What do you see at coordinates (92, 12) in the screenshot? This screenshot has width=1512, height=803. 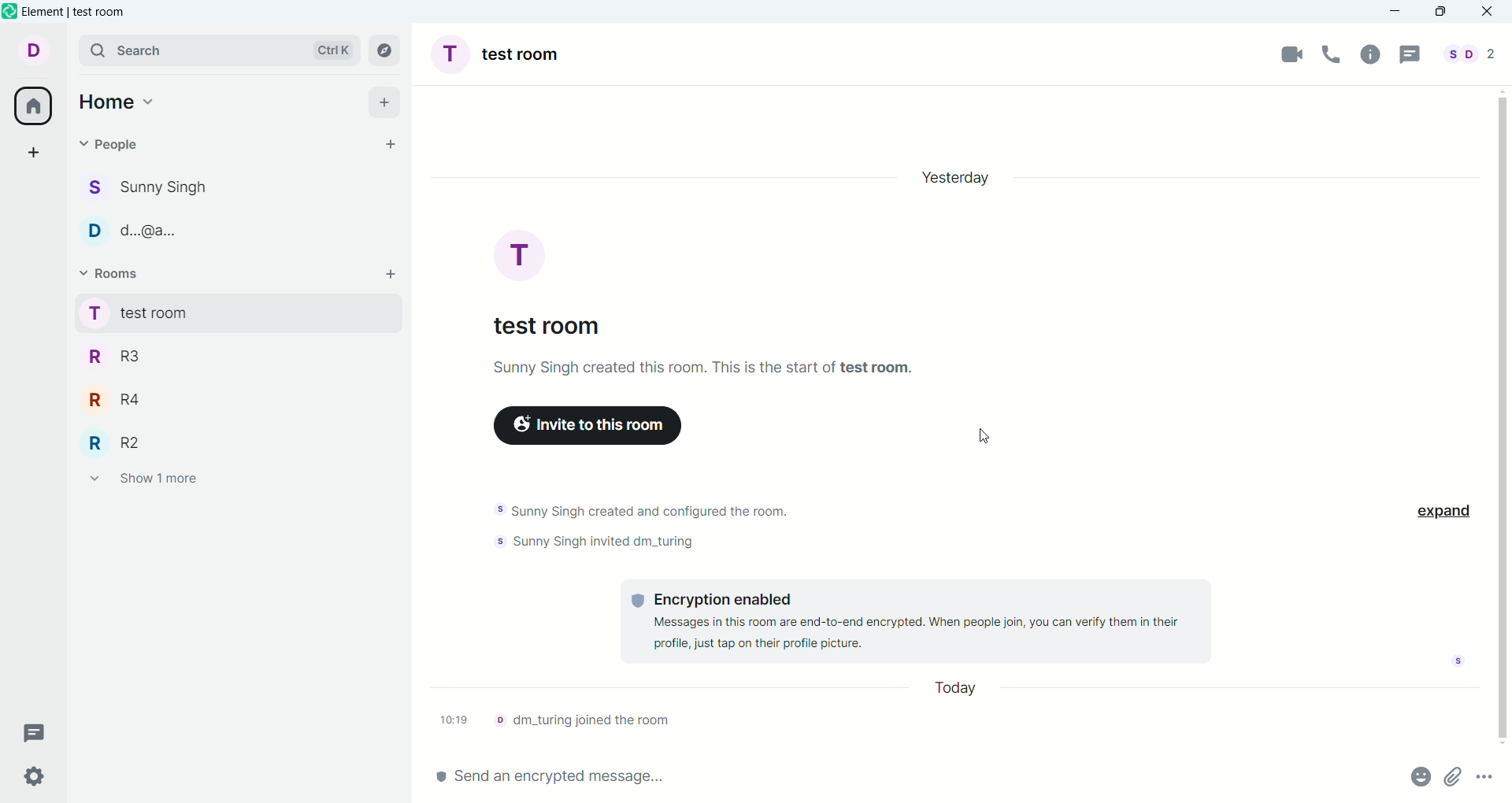 I see `element` at bounding box center [92, 12].